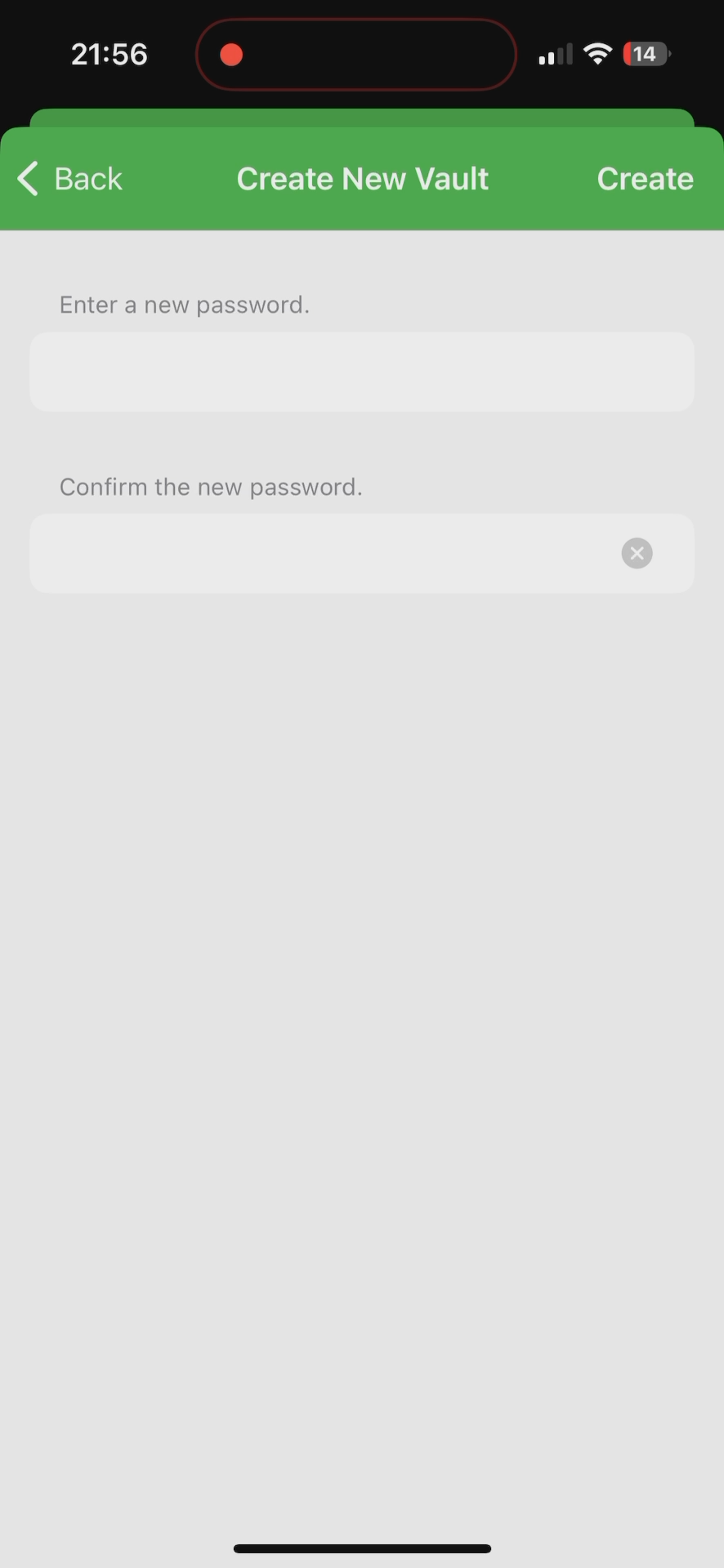 Image resolution: width=724 pixels, height=1568 pixels. What do you see at coordinates (553, 55) in the screenshot?
I see `signal` at bounding box center [553, 55].